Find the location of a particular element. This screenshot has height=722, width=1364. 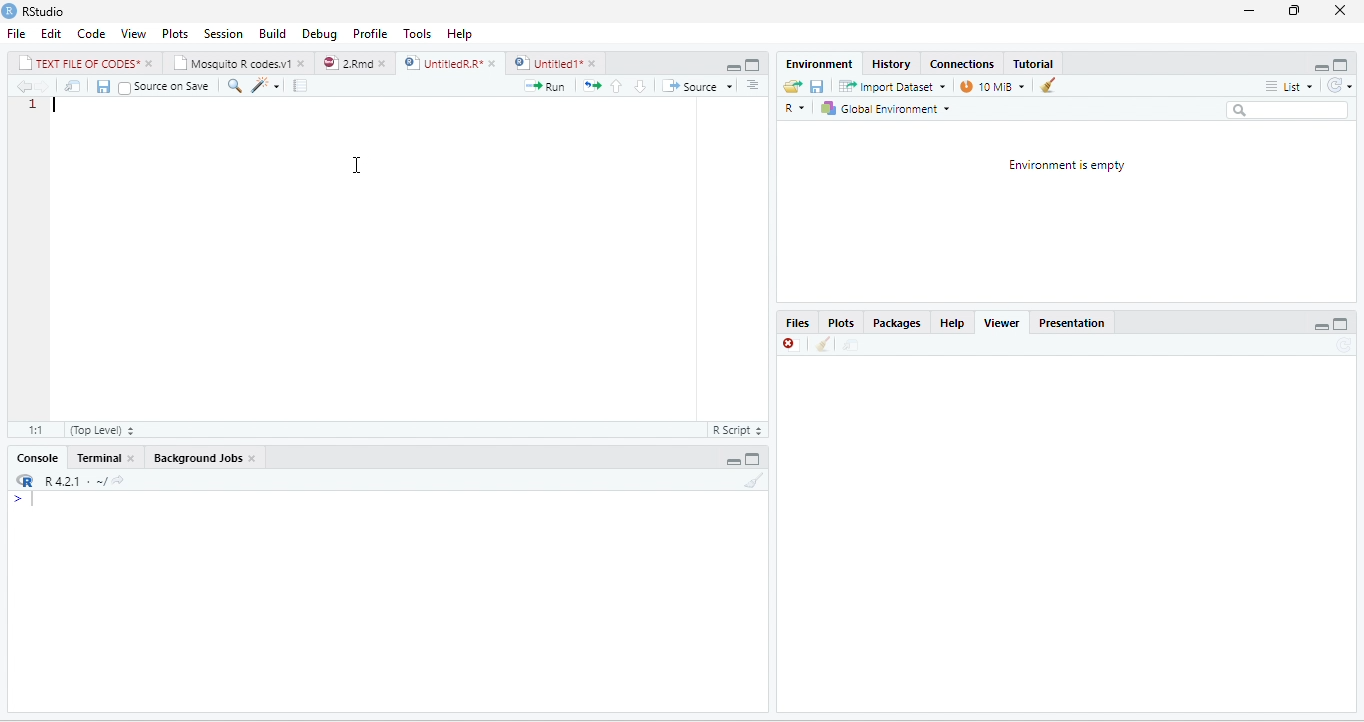

‘Background Jobs is located at coordinates (195, 457).